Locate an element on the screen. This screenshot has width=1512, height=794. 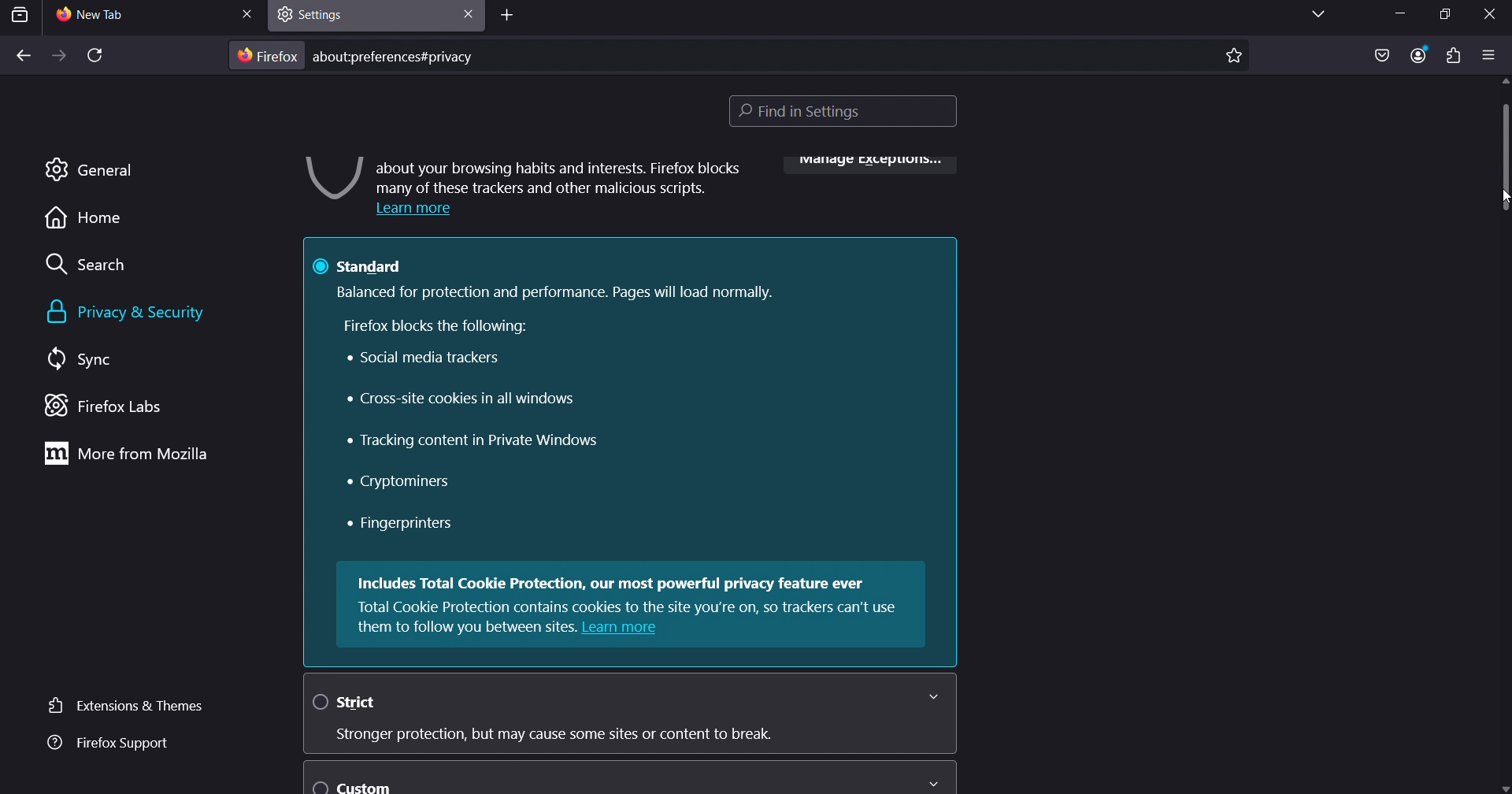
current tab is located at coordinates (110, 16).